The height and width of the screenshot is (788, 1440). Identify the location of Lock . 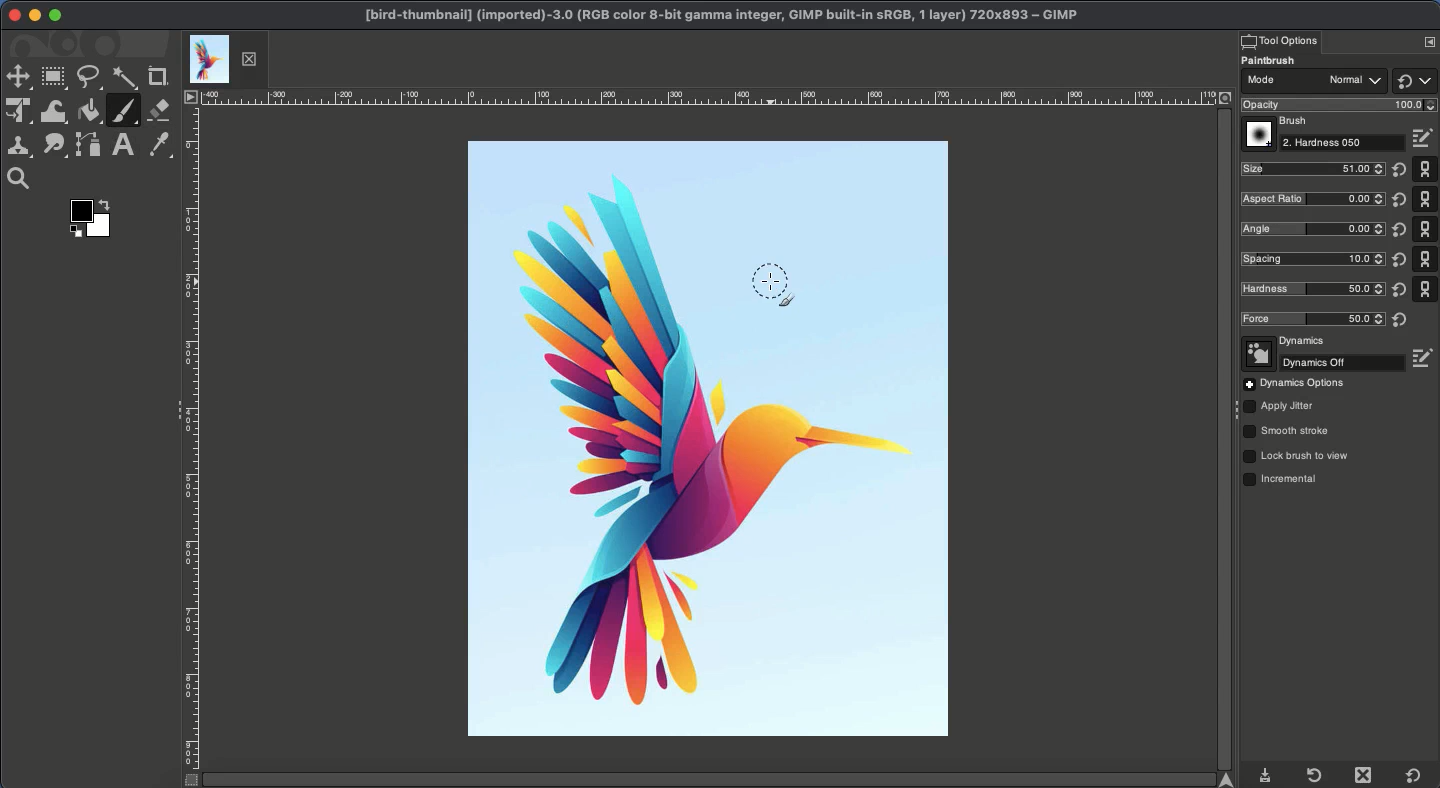
(1297, 456).